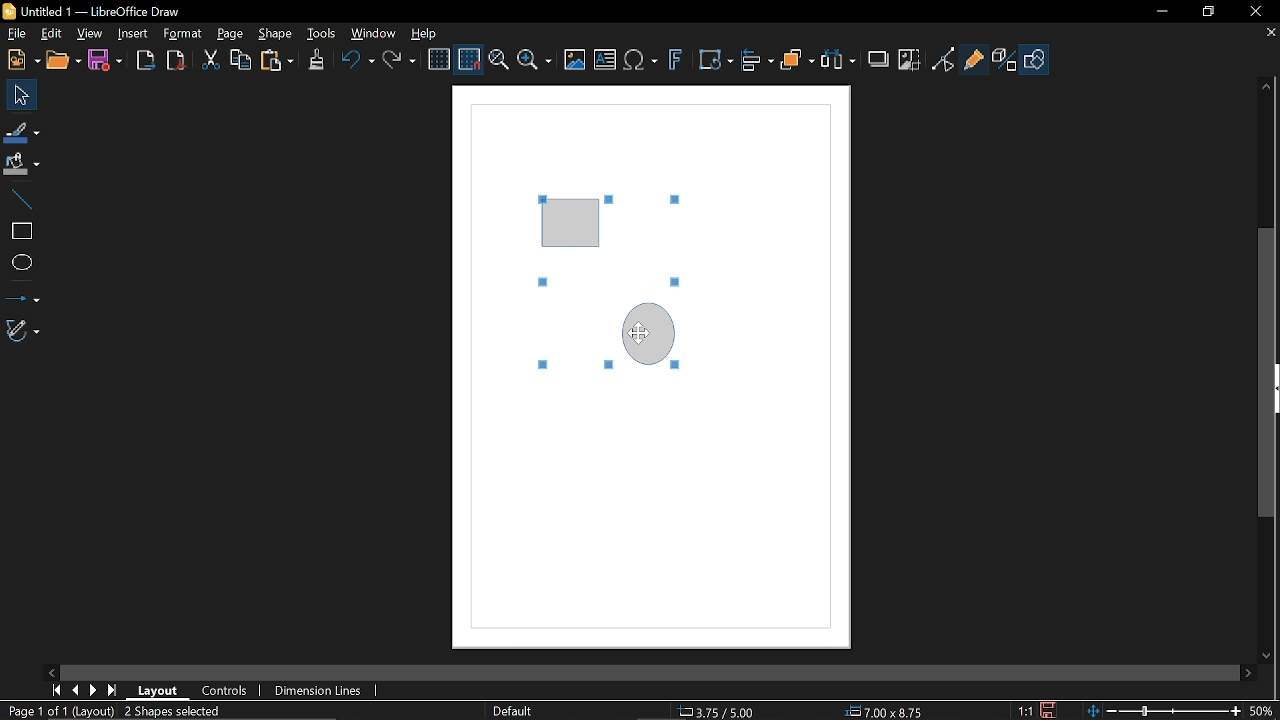 The width and height of the screenshot is (1280, 720). Describe the element at coordinates (22, 59) in the screenshot. I see `New` at that location.